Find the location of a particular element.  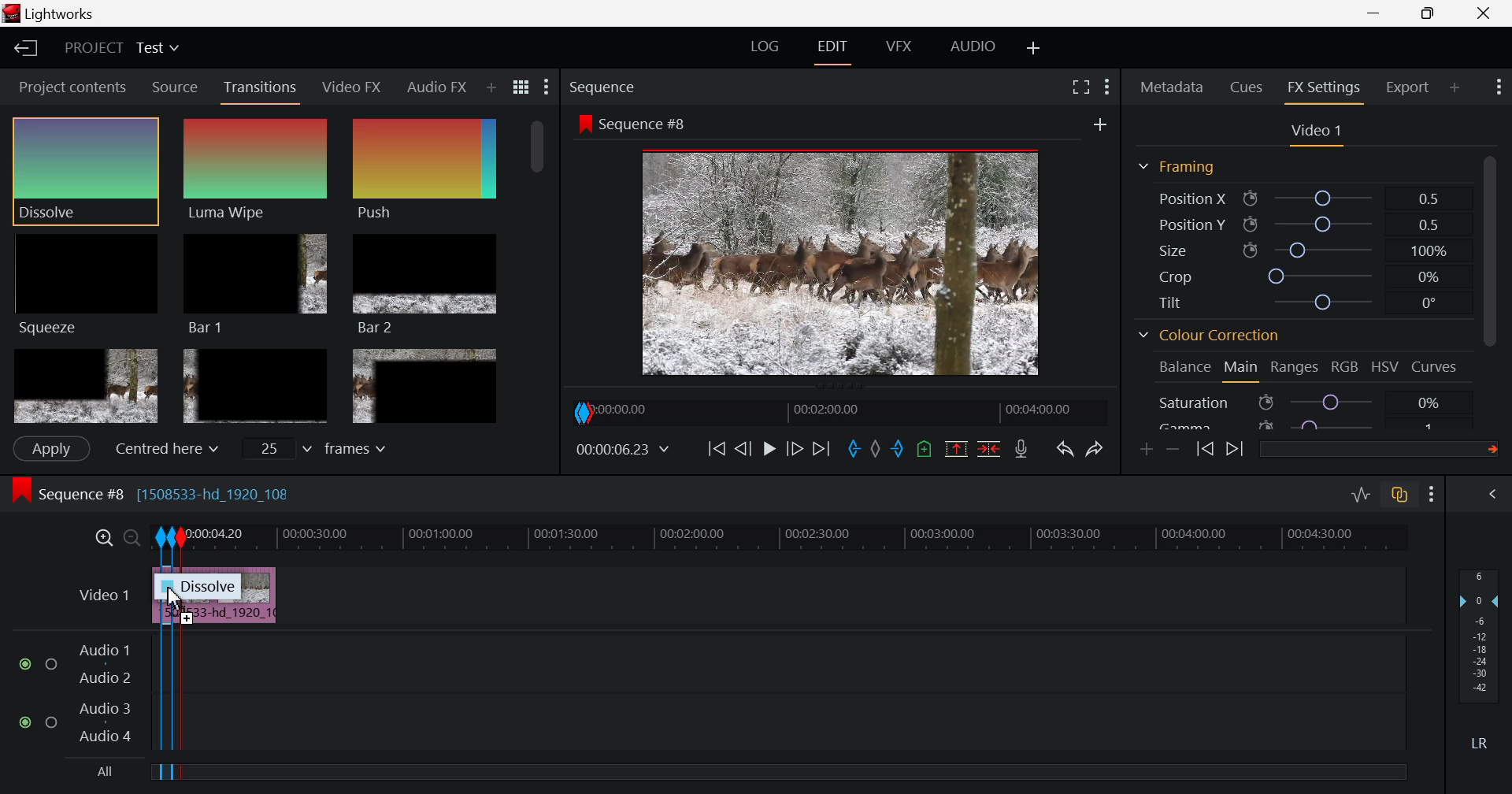

Source is located at coordinates (173, 86).